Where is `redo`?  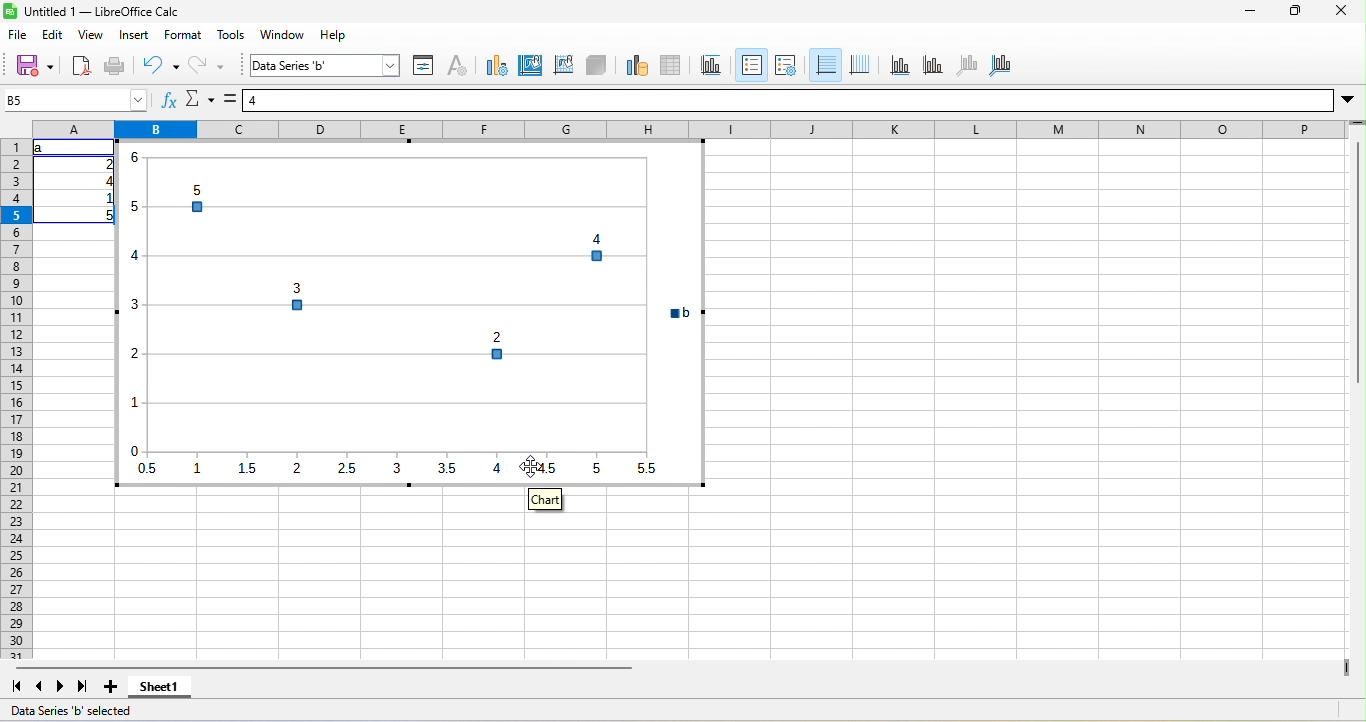 redo is located at coordinates (206, 66).